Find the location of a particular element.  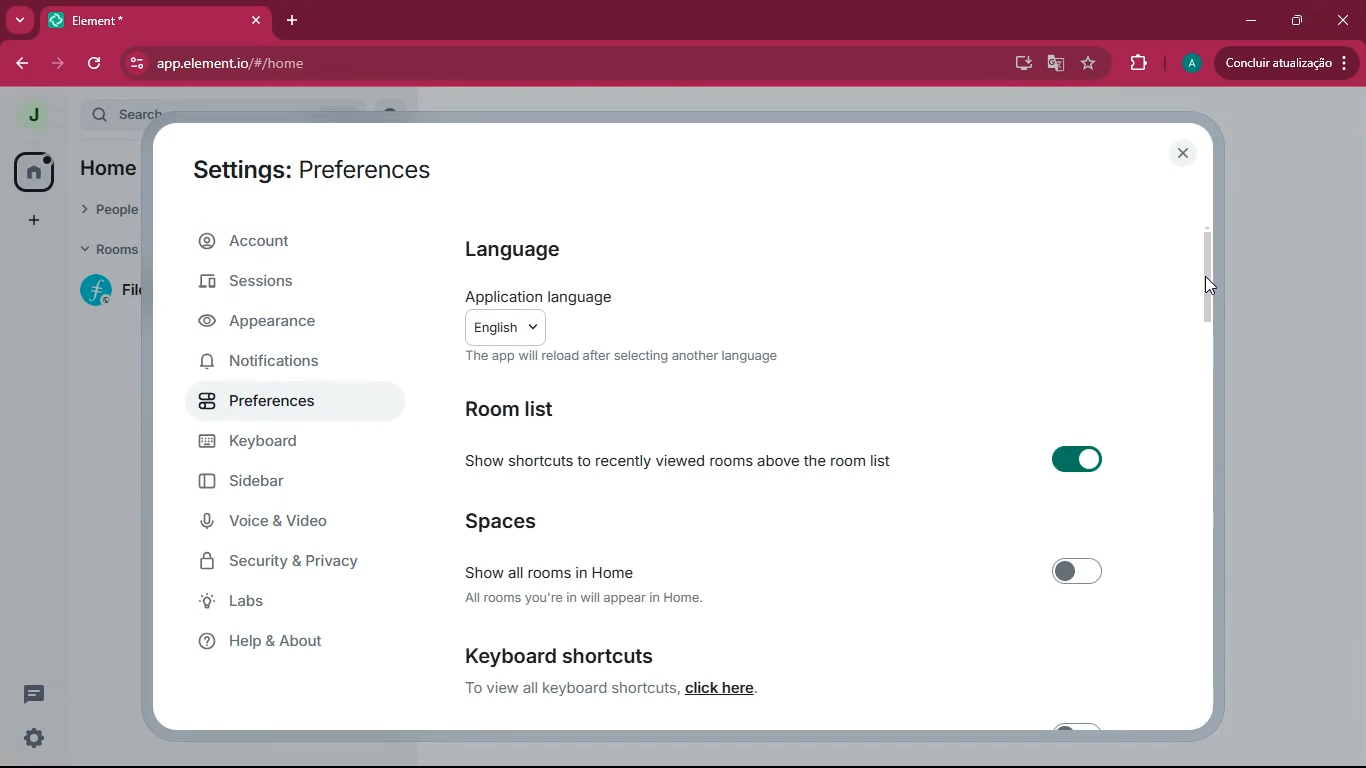

help is located at coordinates (281, 642).